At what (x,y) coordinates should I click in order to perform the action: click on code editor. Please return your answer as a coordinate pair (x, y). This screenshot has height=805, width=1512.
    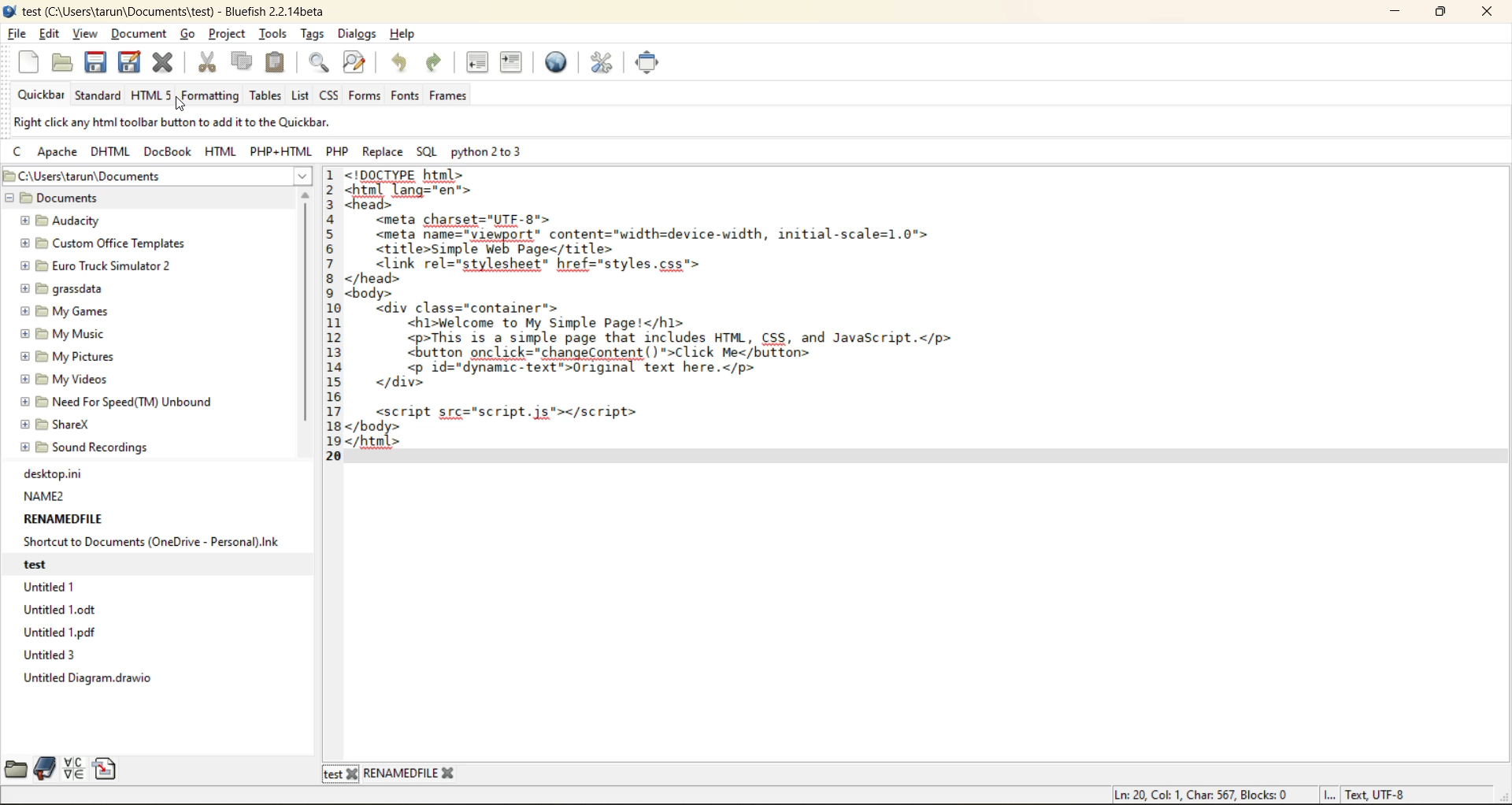
    Looking at the image, I should click on (730, 321).